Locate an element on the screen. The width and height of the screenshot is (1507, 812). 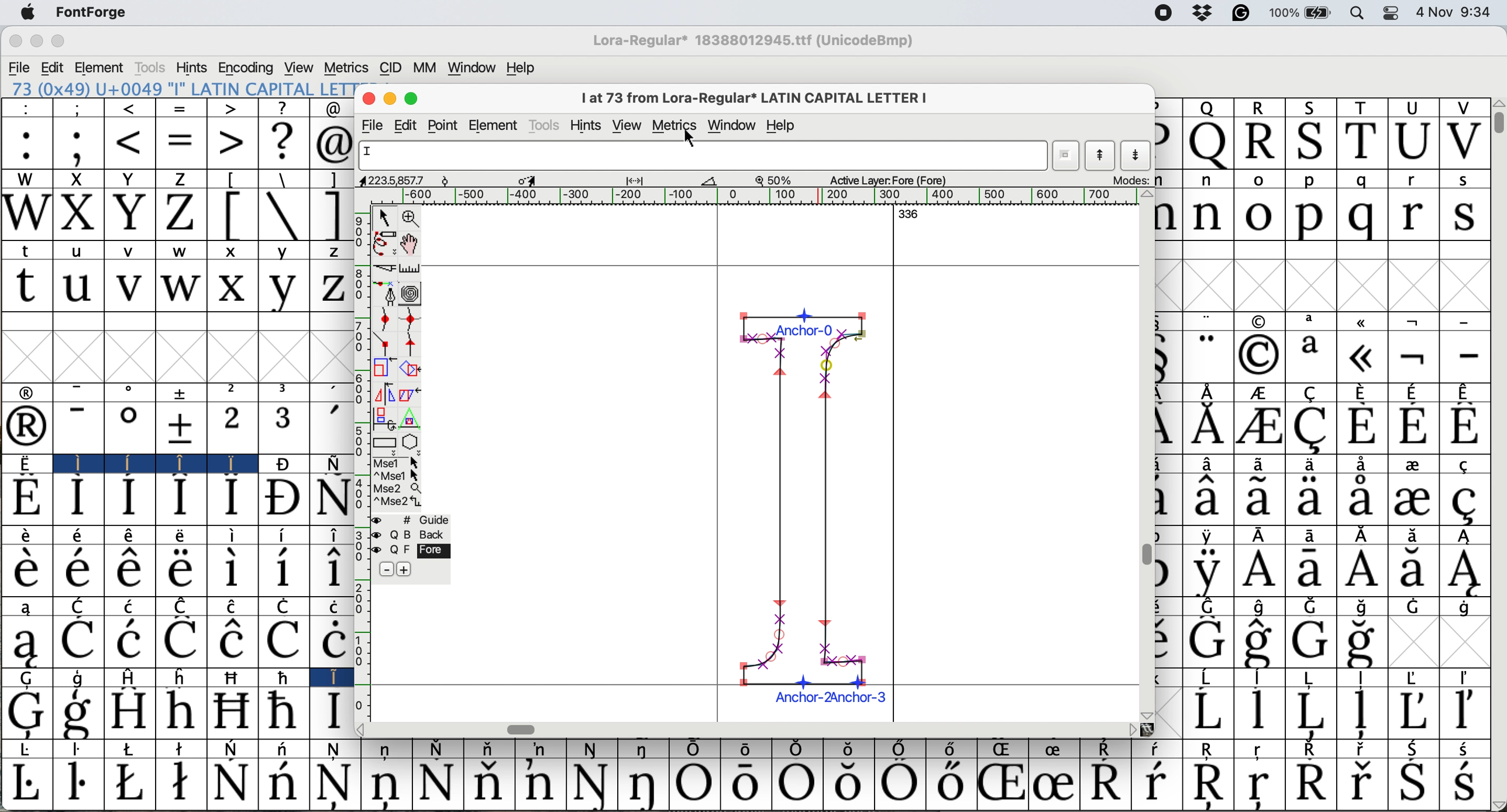
Symbol is located at coordinates (1363, 607).